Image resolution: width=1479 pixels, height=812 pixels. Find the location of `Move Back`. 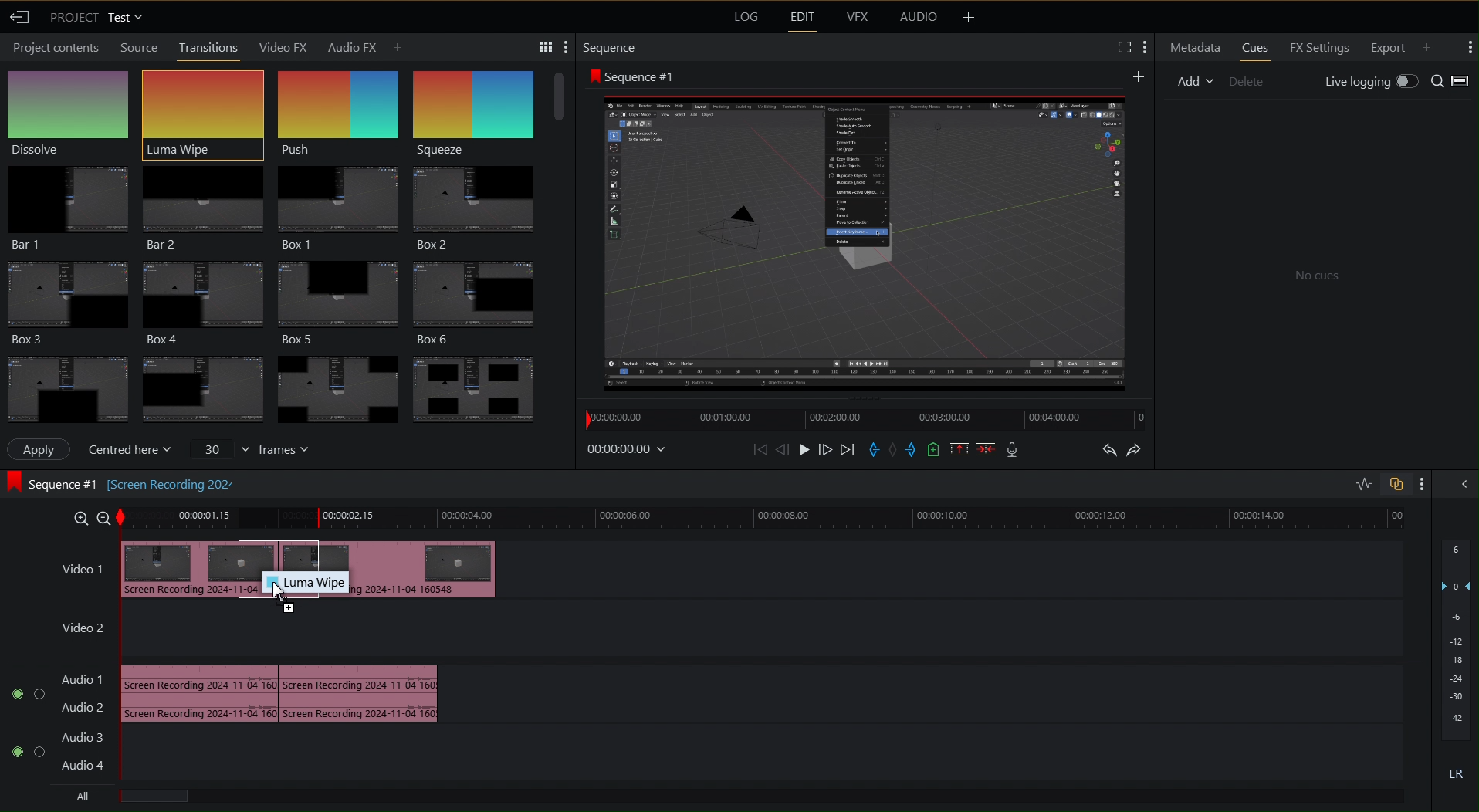

Move Back is located at coordinates (783, 450).